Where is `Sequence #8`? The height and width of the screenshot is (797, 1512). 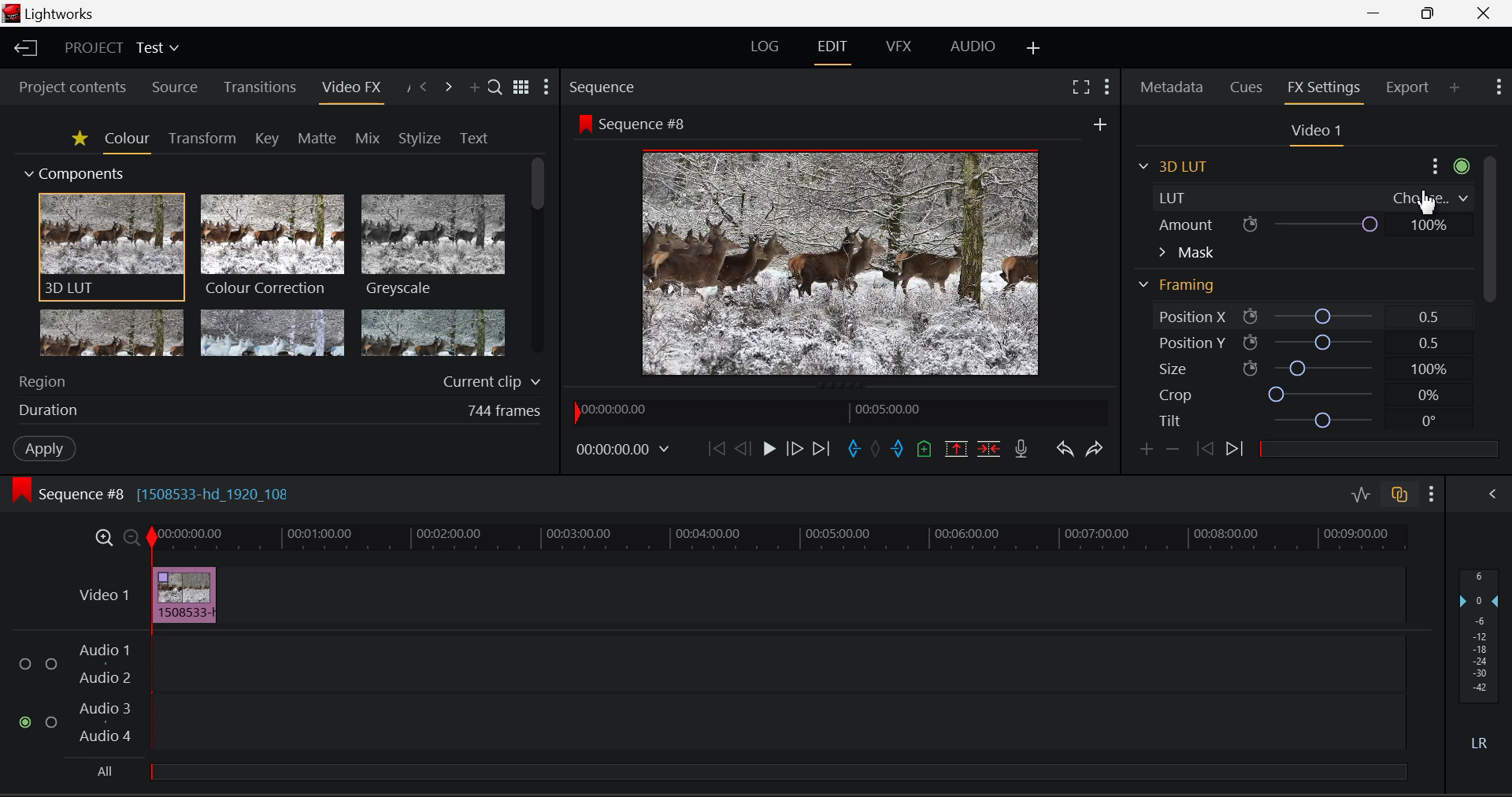
Sequence #8 is located at coordinates (633, 123).